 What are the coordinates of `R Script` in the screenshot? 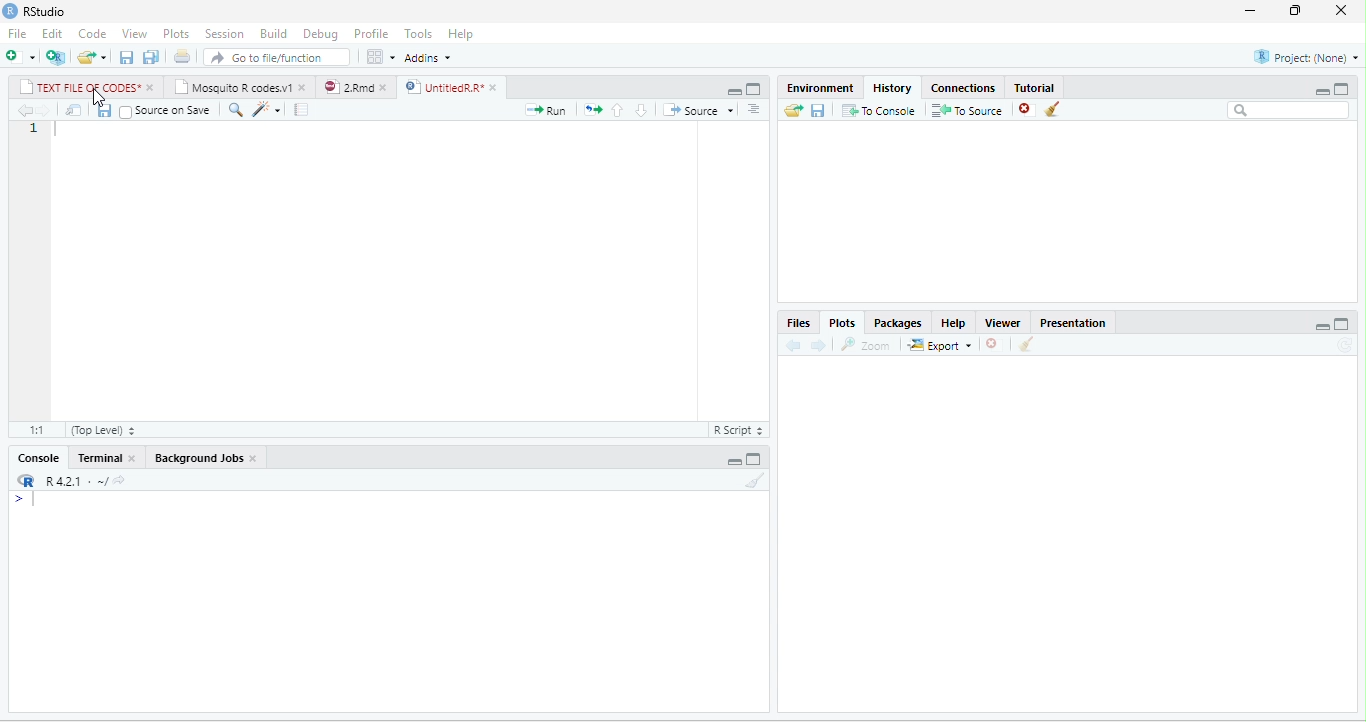 It's located at (737, 429).